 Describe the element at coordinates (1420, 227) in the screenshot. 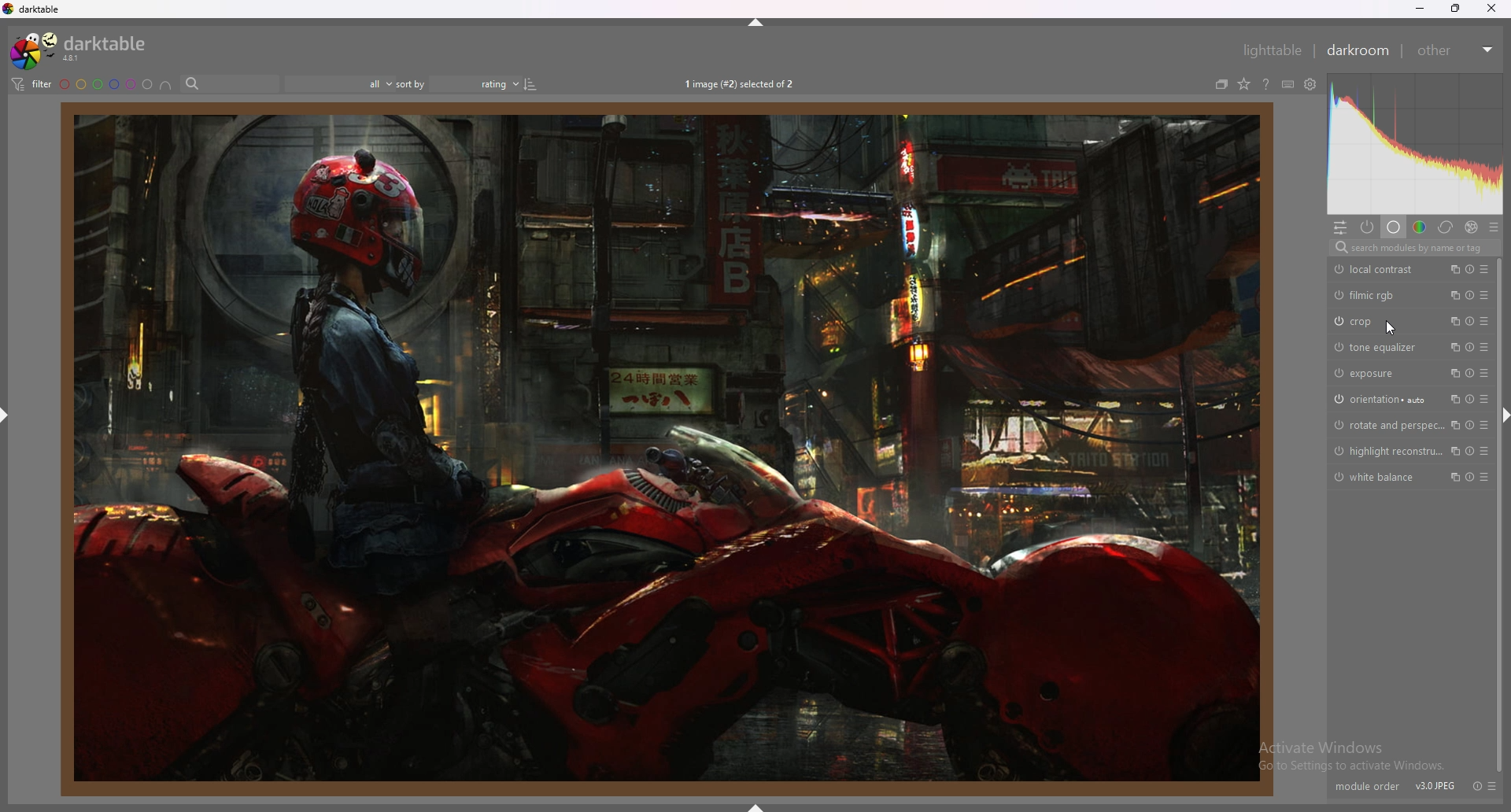

I see `color` at that location.